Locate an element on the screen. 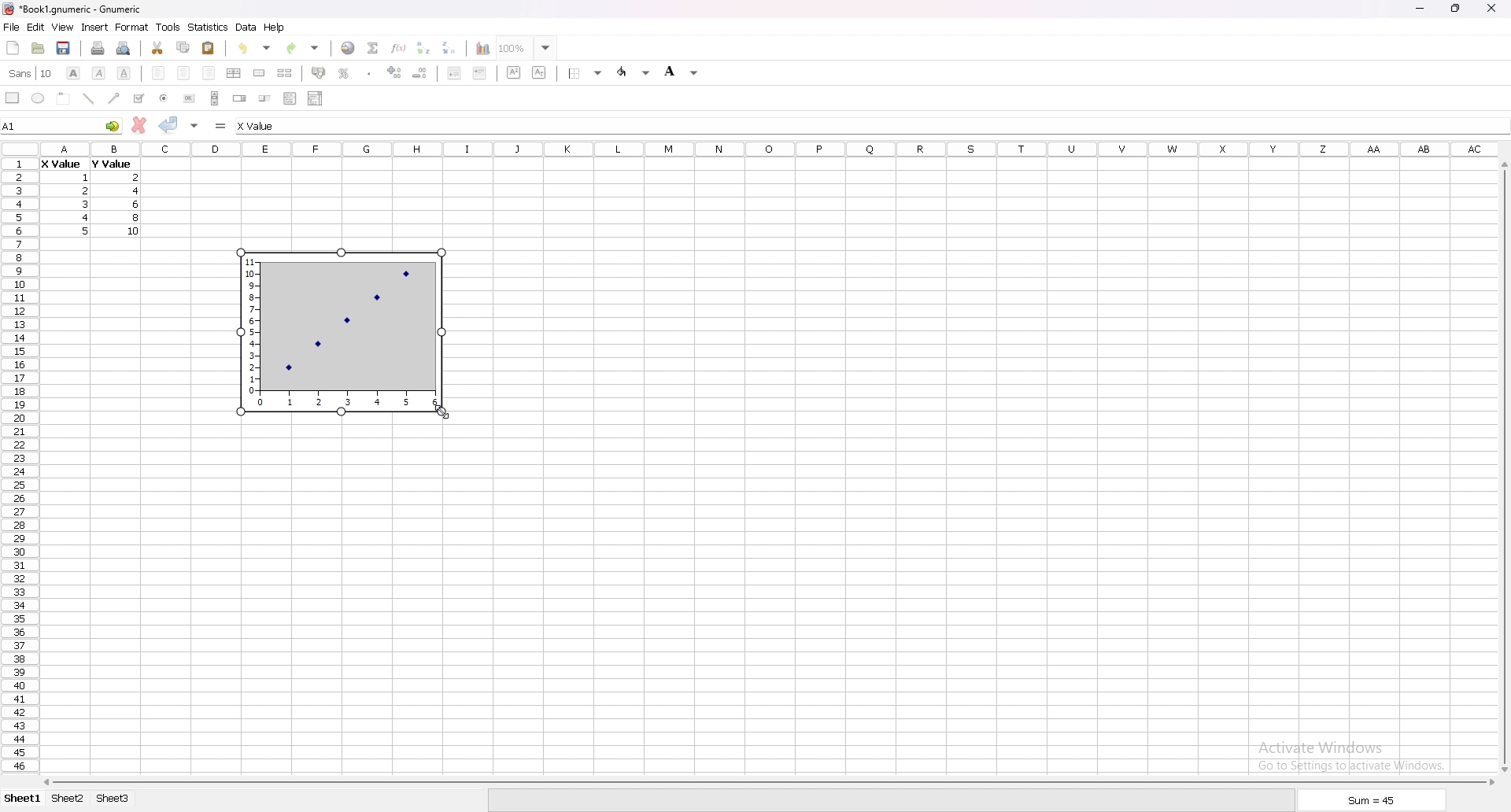  radio button is located at coordinates (164, 98).